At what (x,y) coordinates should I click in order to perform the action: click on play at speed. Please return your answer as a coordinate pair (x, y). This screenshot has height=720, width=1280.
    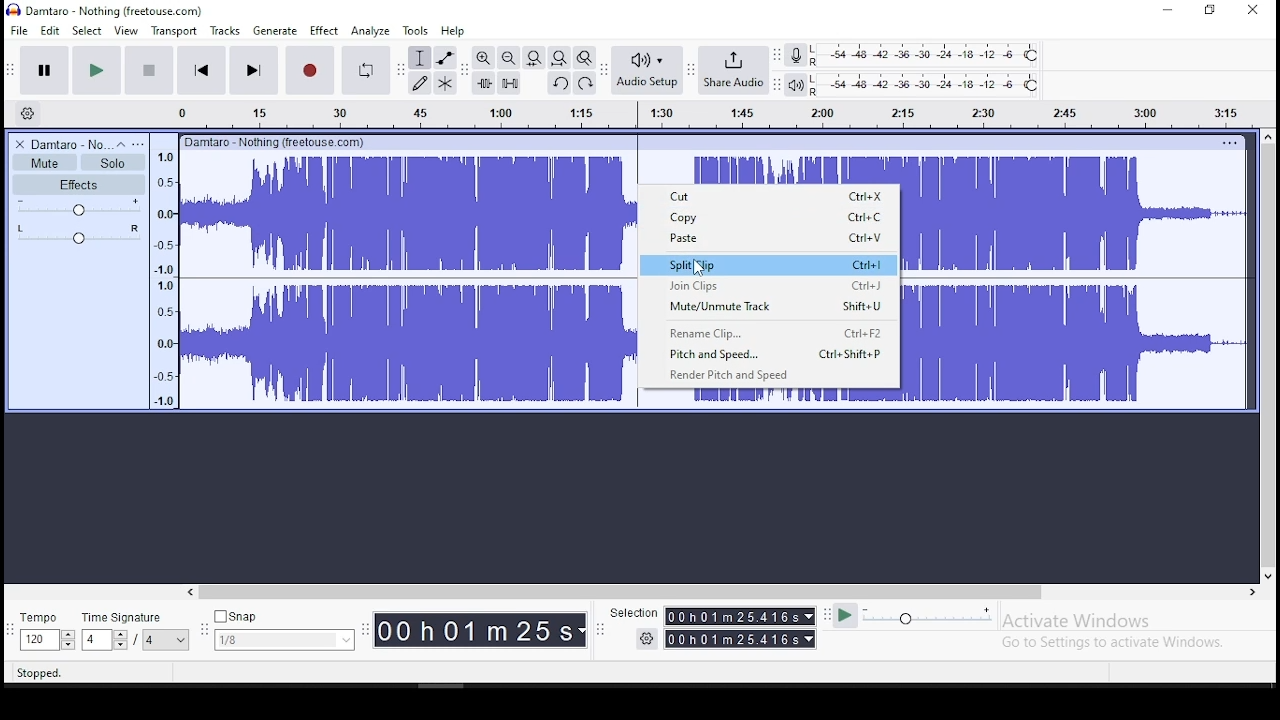
    Looking at the image, I should click on (847, 616).